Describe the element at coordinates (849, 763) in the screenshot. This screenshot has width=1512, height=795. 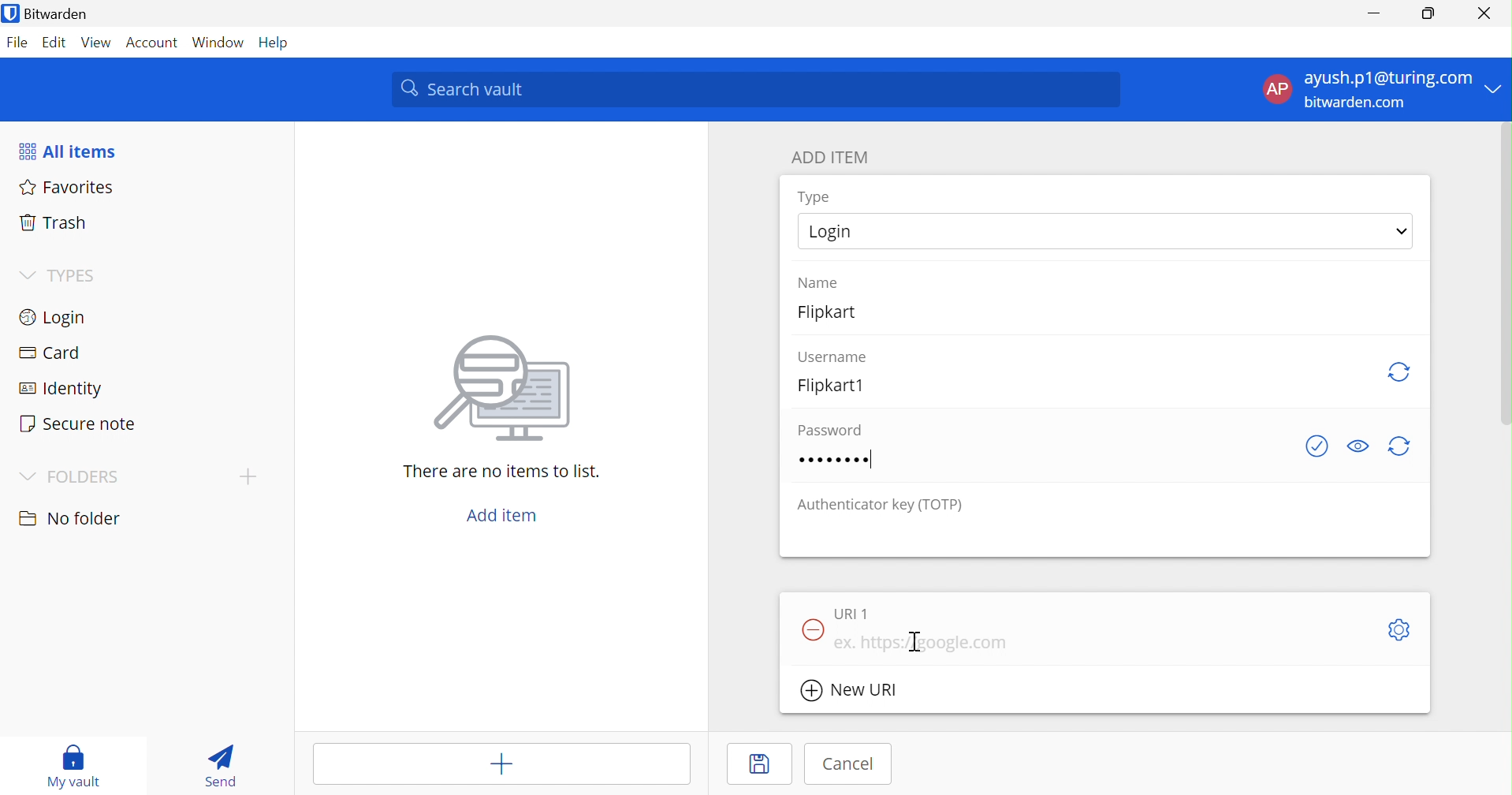
I see `Cancel` at that location.